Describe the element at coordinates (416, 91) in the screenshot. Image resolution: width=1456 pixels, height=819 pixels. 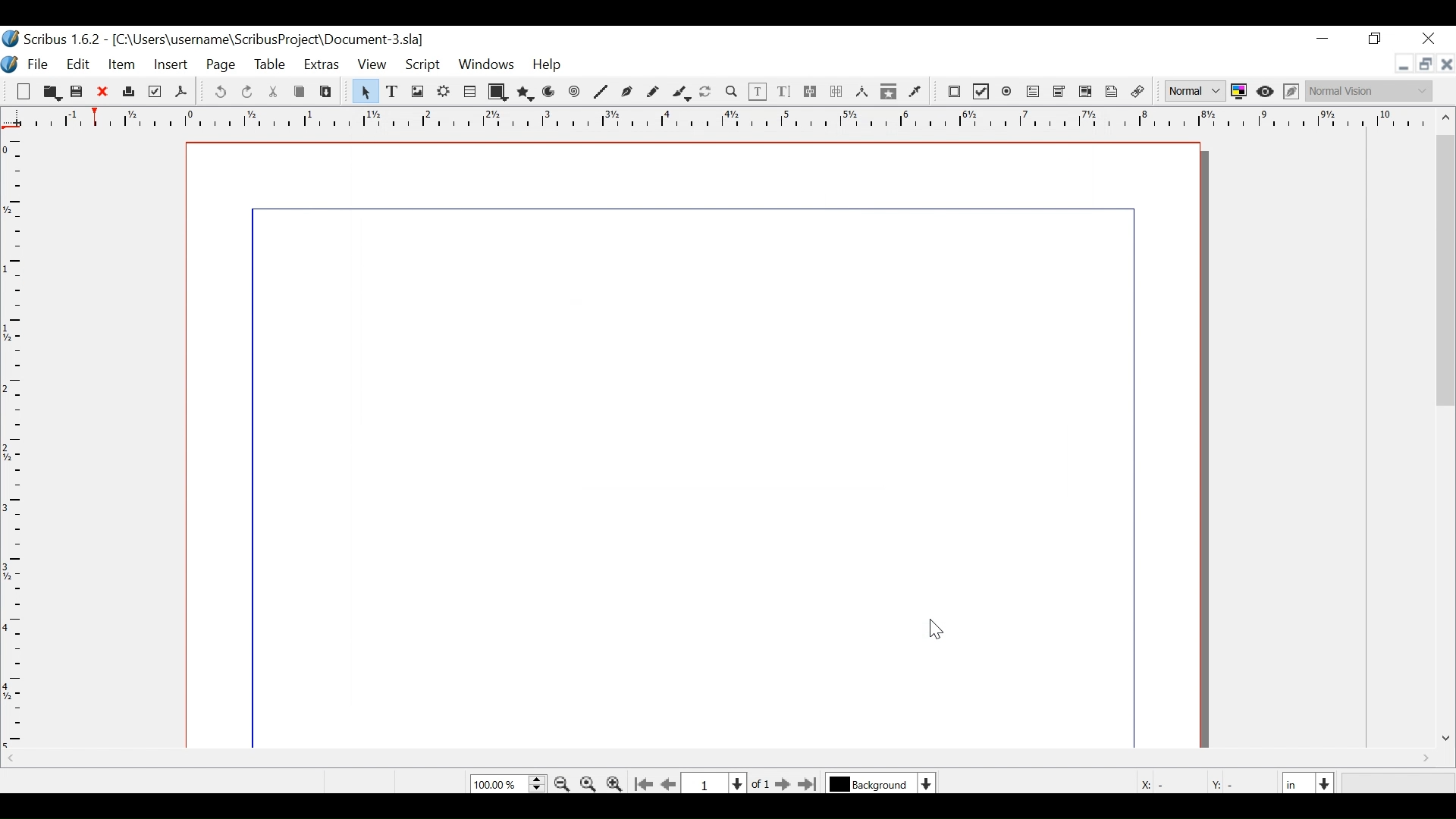
I see `Image frame` at that location.